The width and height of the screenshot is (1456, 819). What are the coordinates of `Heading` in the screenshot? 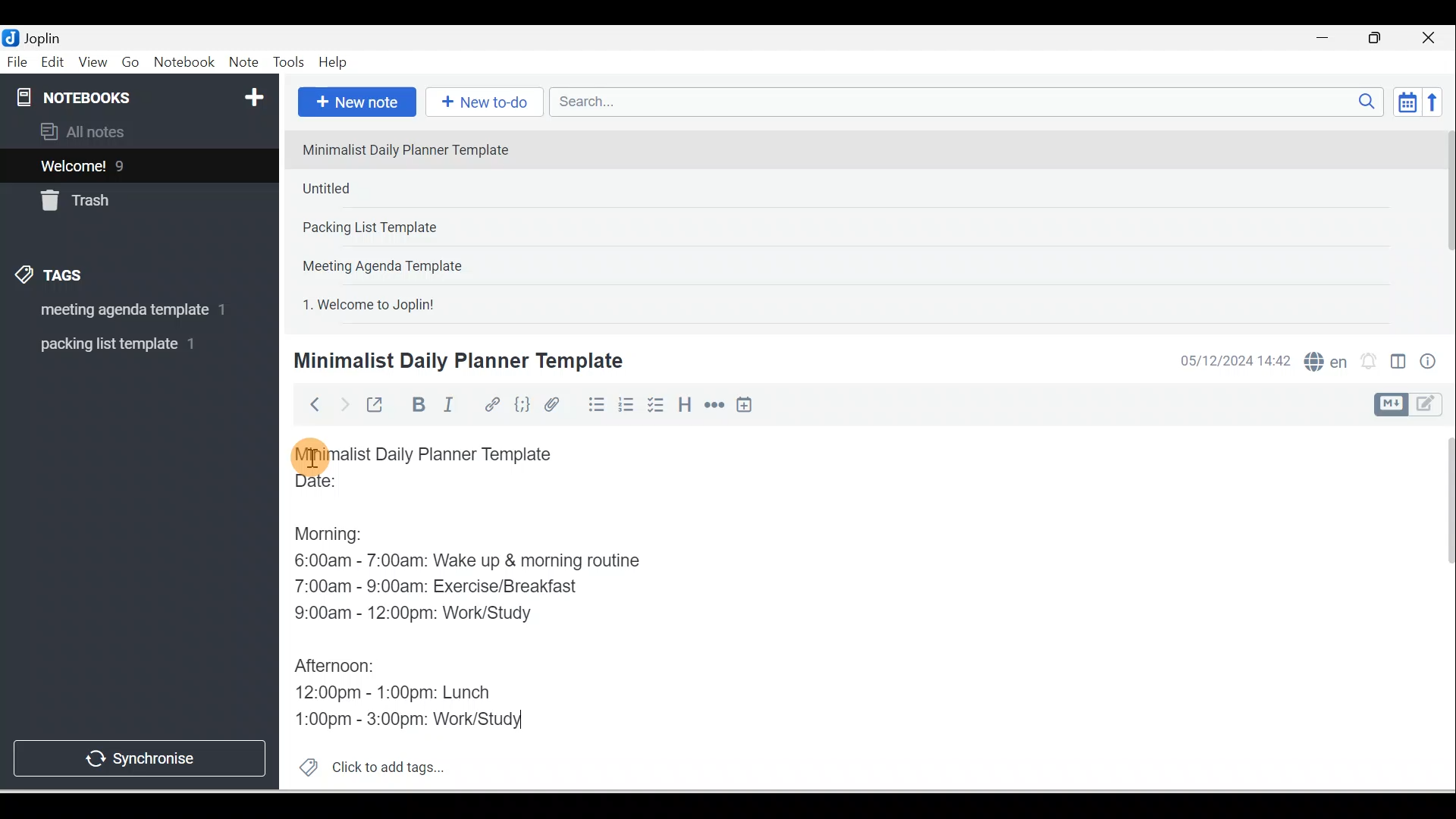 It's located at (684, 403).